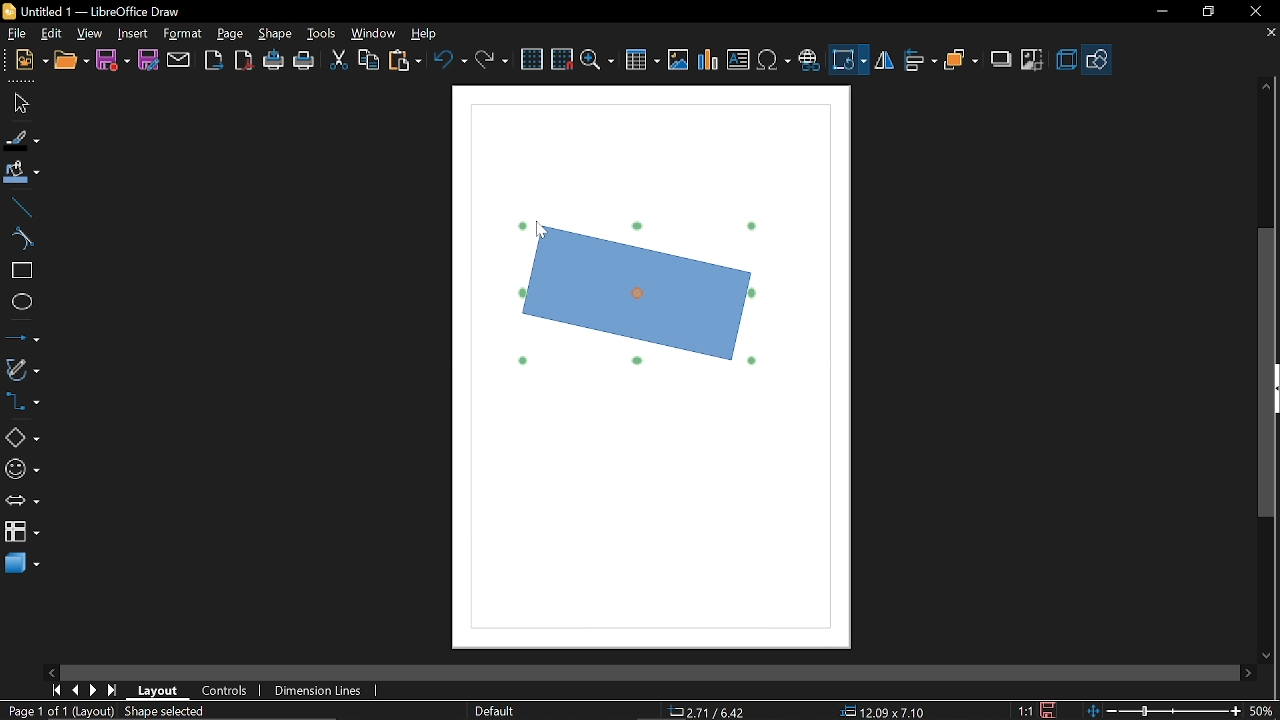  What do you see at coordinates (1066, 60) in the screenshot?
I see `3d effect` at bounding box center [1066, 60].